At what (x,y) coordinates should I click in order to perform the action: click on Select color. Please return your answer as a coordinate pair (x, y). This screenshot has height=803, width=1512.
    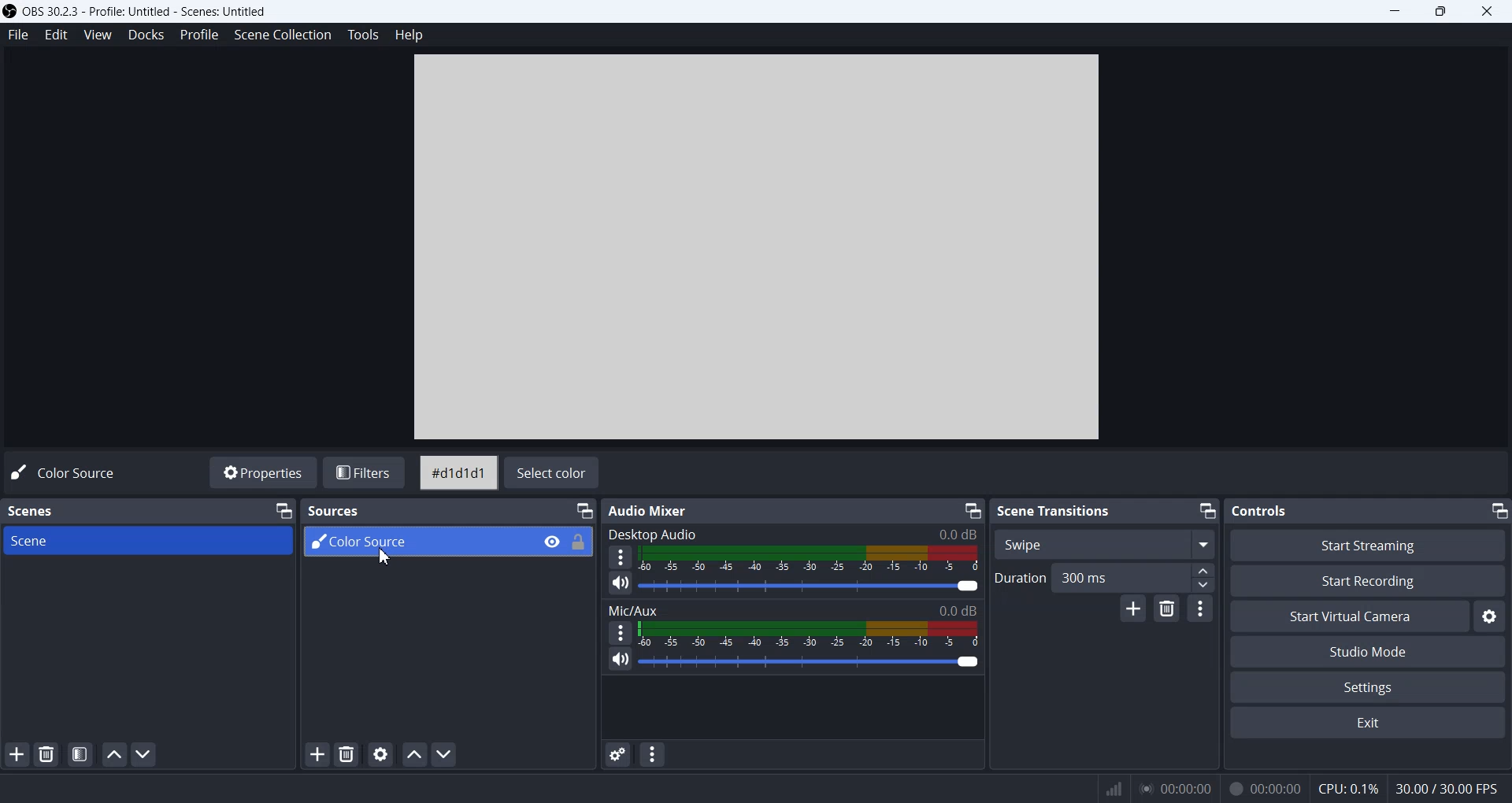
    Looking at the image, I should click on (555, 472).